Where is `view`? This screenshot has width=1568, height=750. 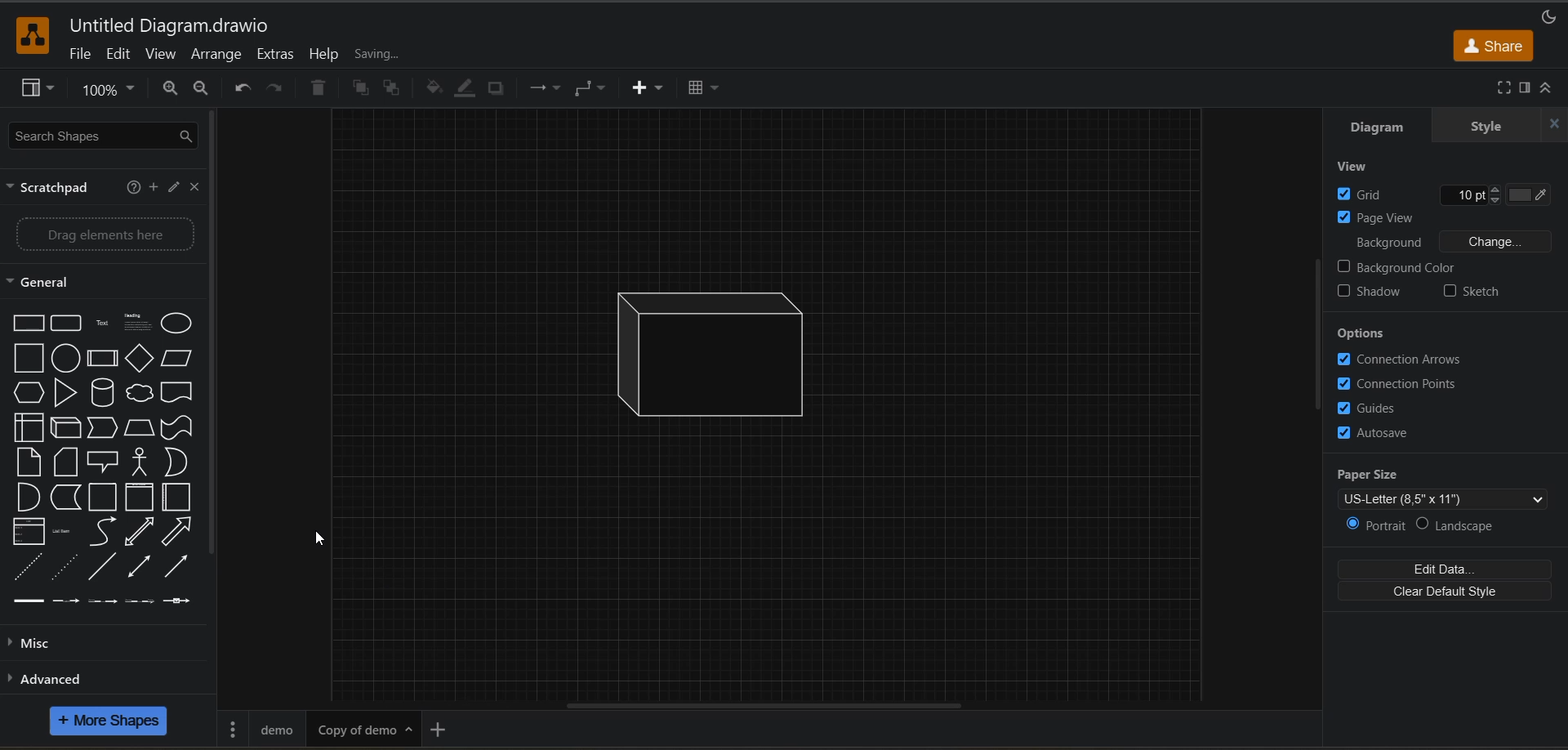
view is located at coordinates (1357, 167).